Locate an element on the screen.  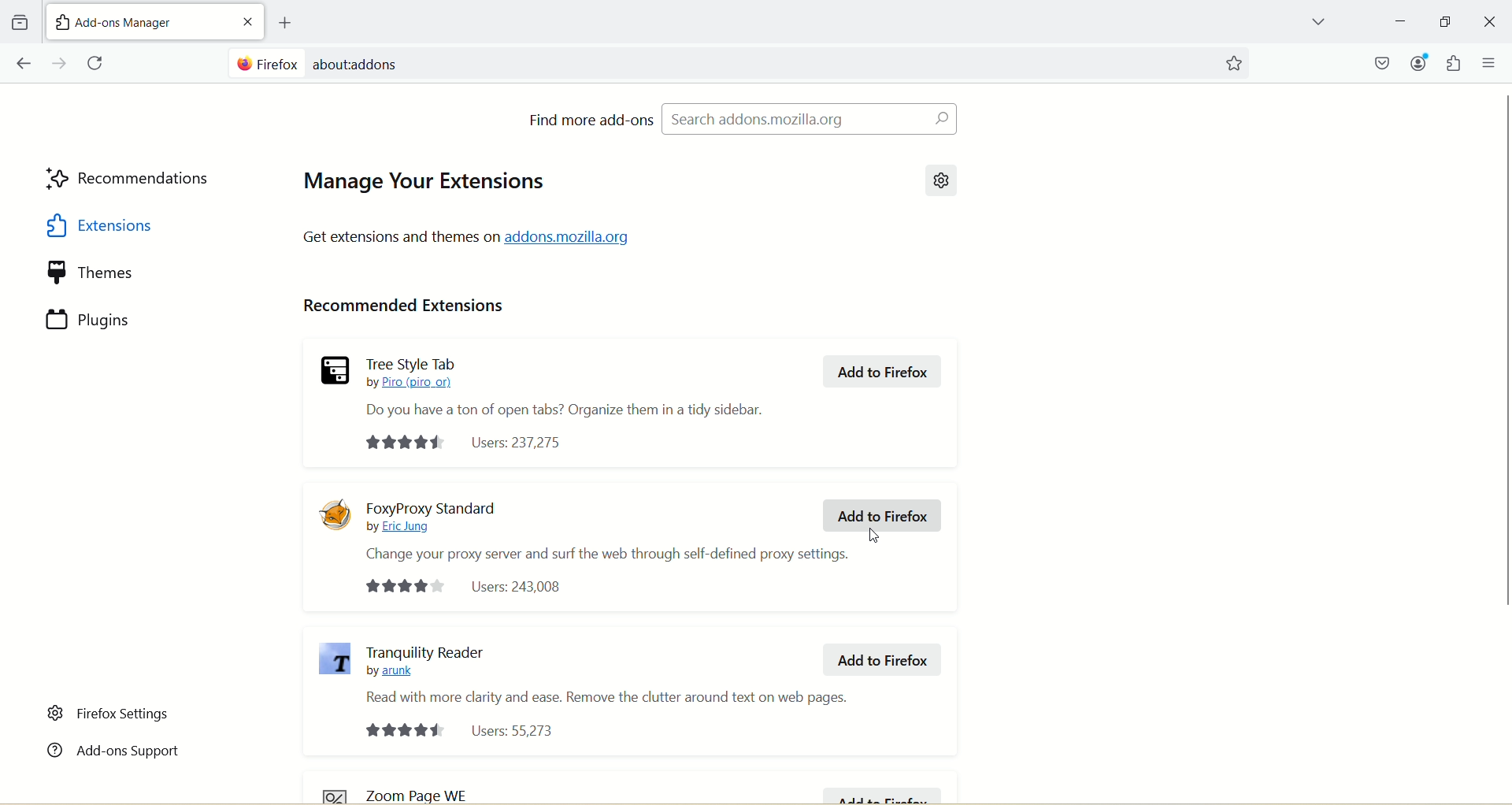
Users: 237275 is located at coordinates (465, 443).